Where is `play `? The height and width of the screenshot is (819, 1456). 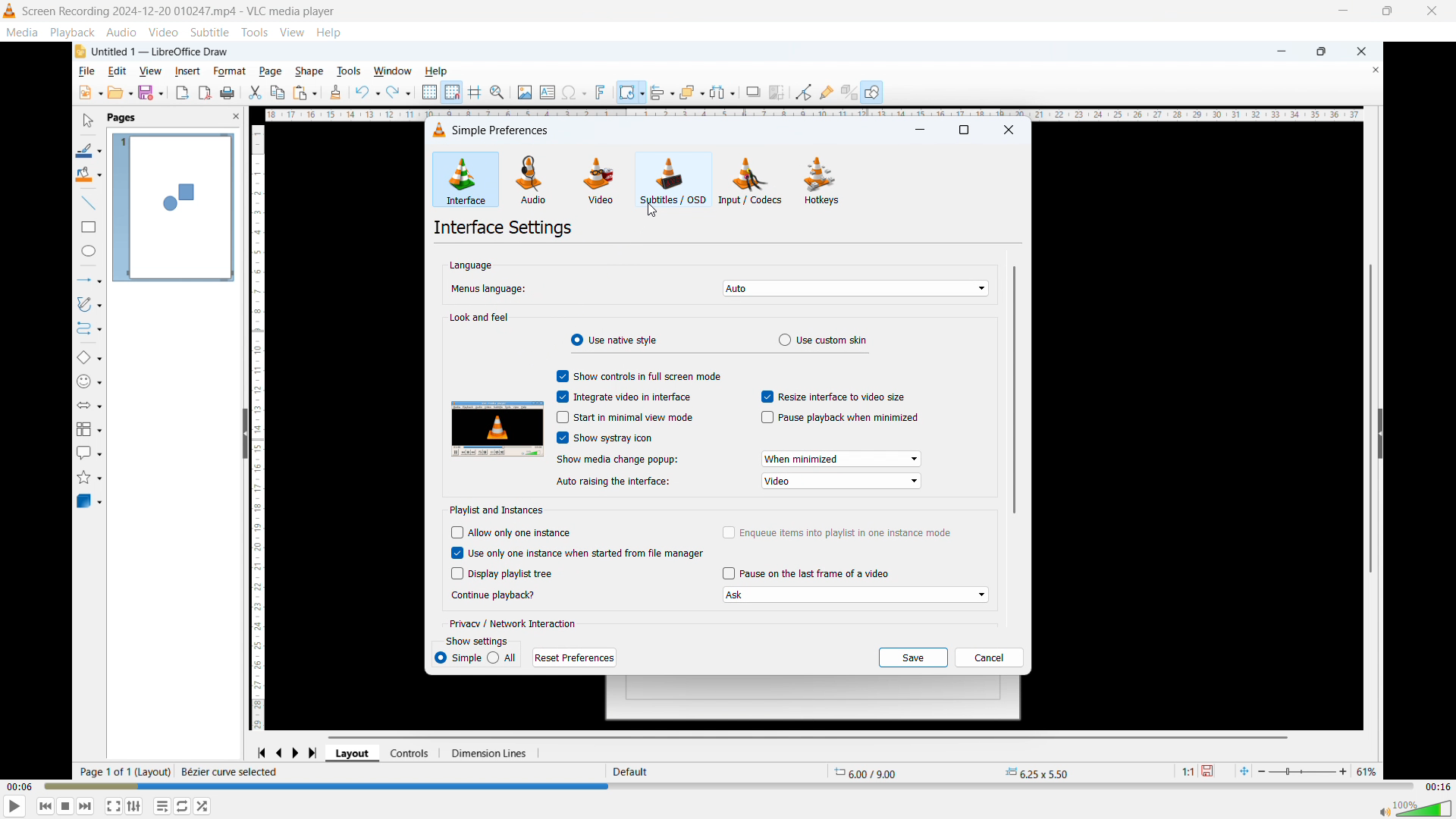 play  is located at coordinates (16, 805).